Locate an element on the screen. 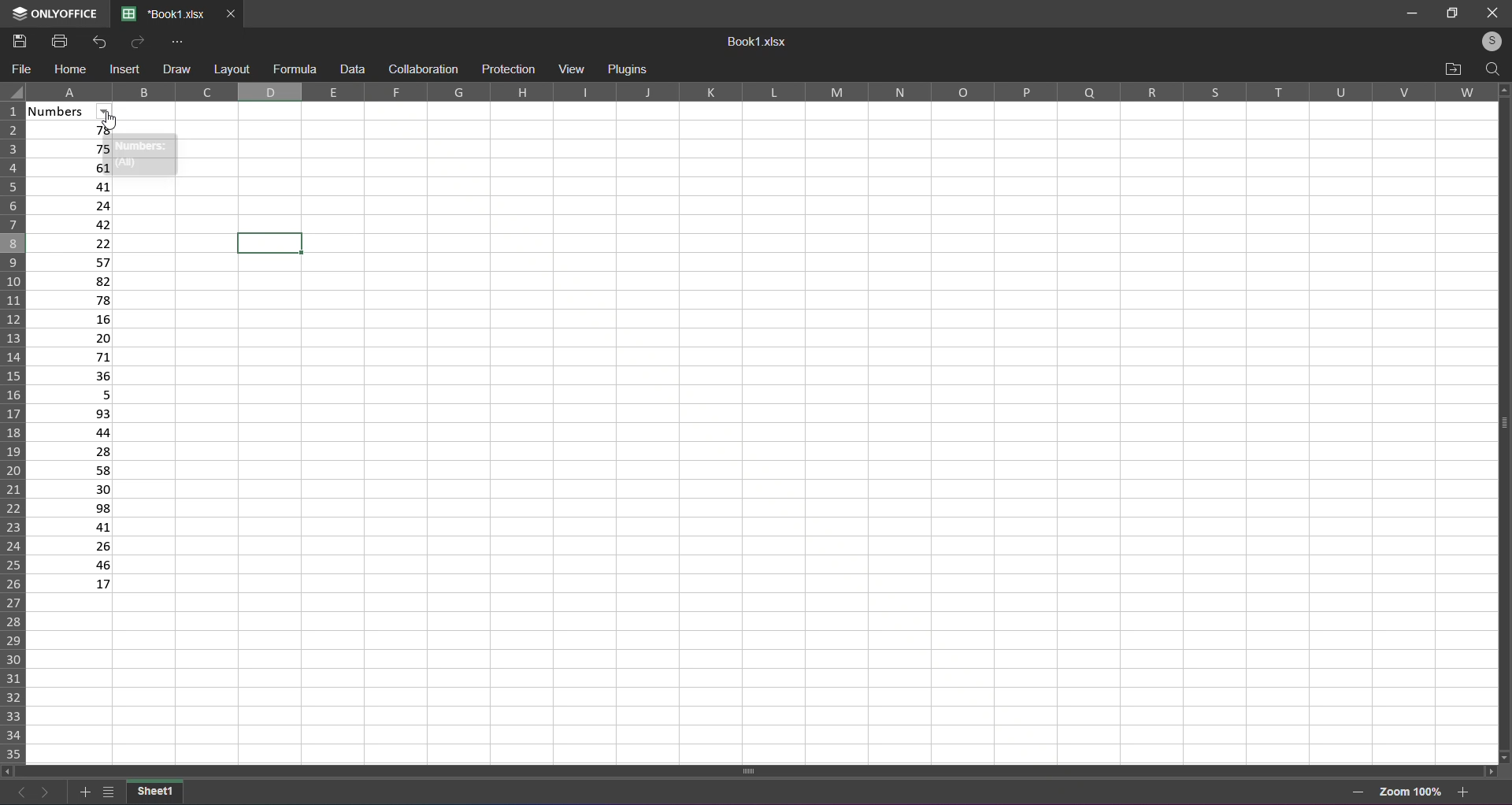 The width and height of the screenshot is (1512, 805). 61 is located at coordinates (69, 166).